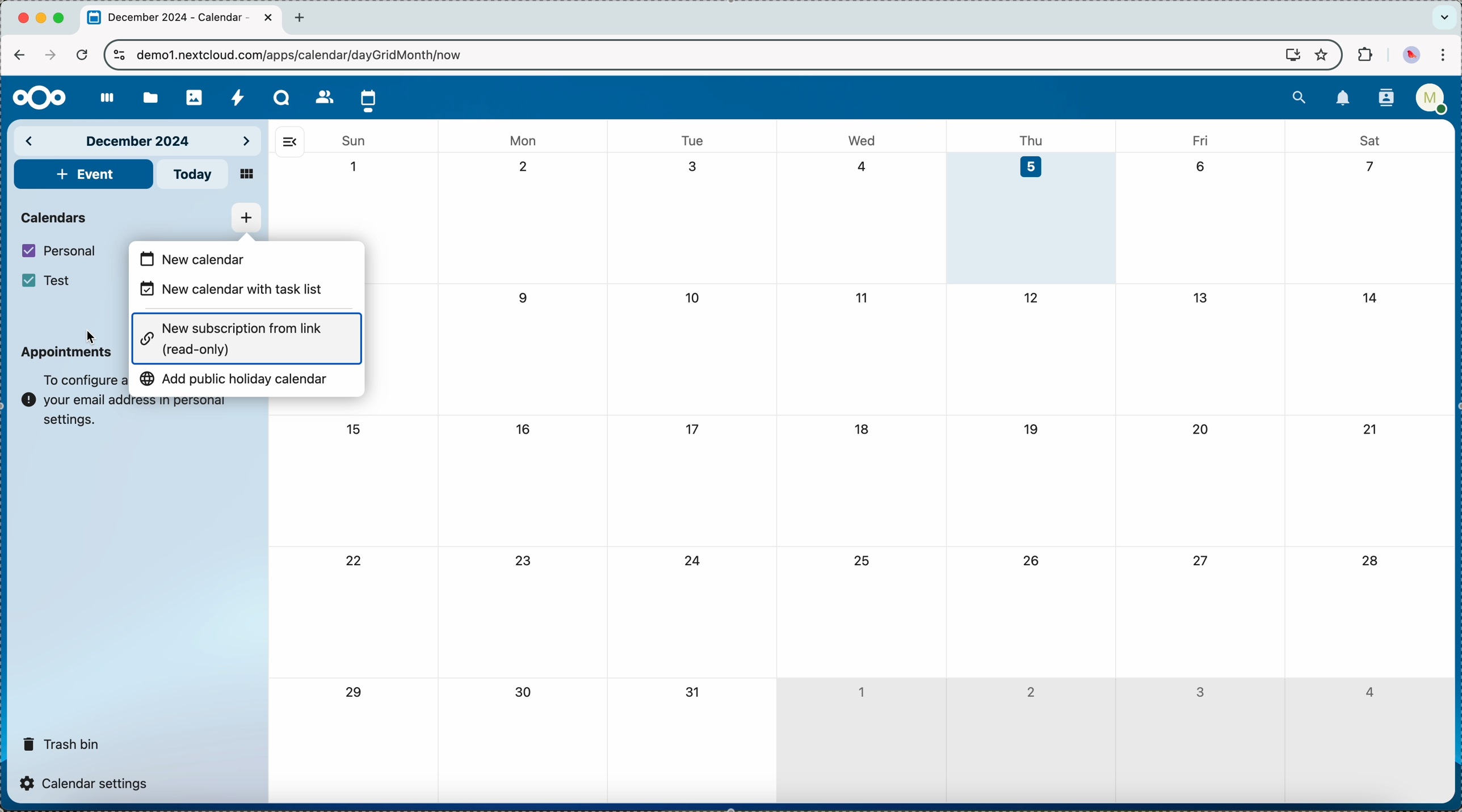 The width and height of the screenshot is (1462, 812). Describe the element at coordinates (289, 141) in the screenshot. I see `hide side bar` at that location.